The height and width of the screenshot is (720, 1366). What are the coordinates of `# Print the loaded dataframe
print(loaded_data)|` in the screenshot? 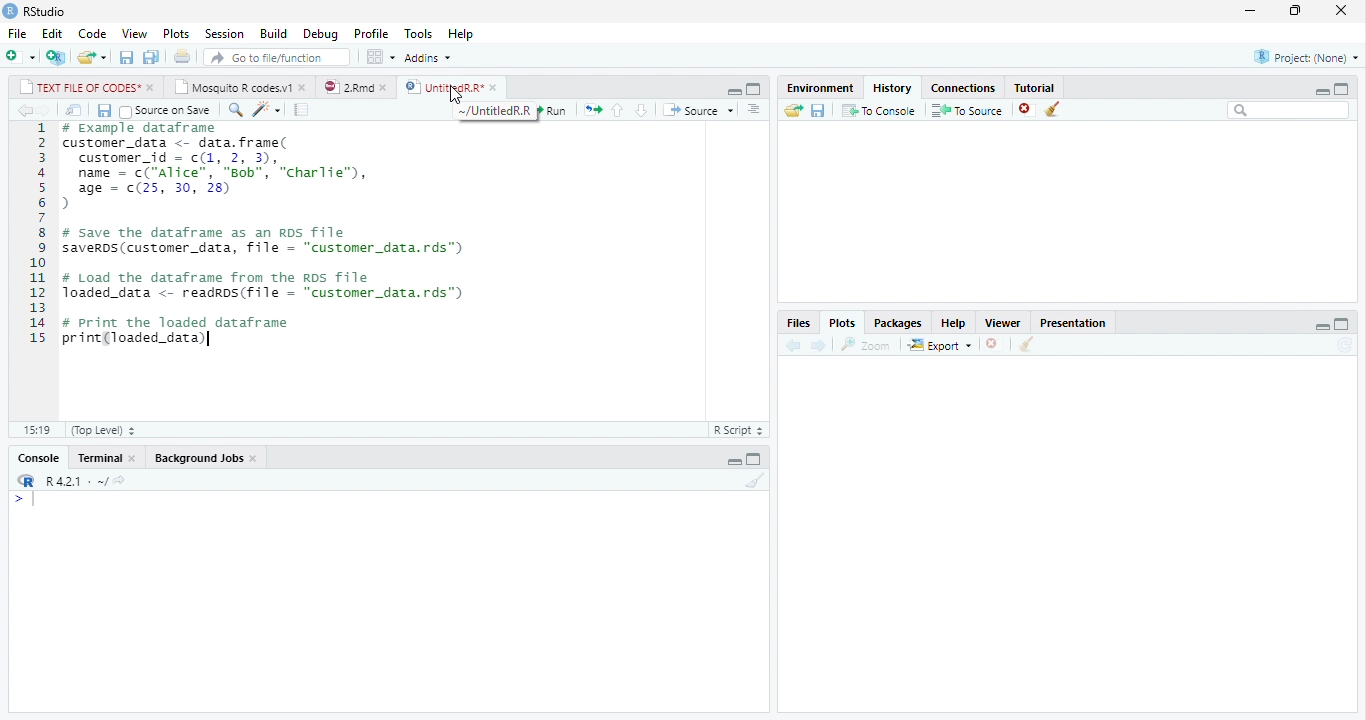 It's located at (189, 334).